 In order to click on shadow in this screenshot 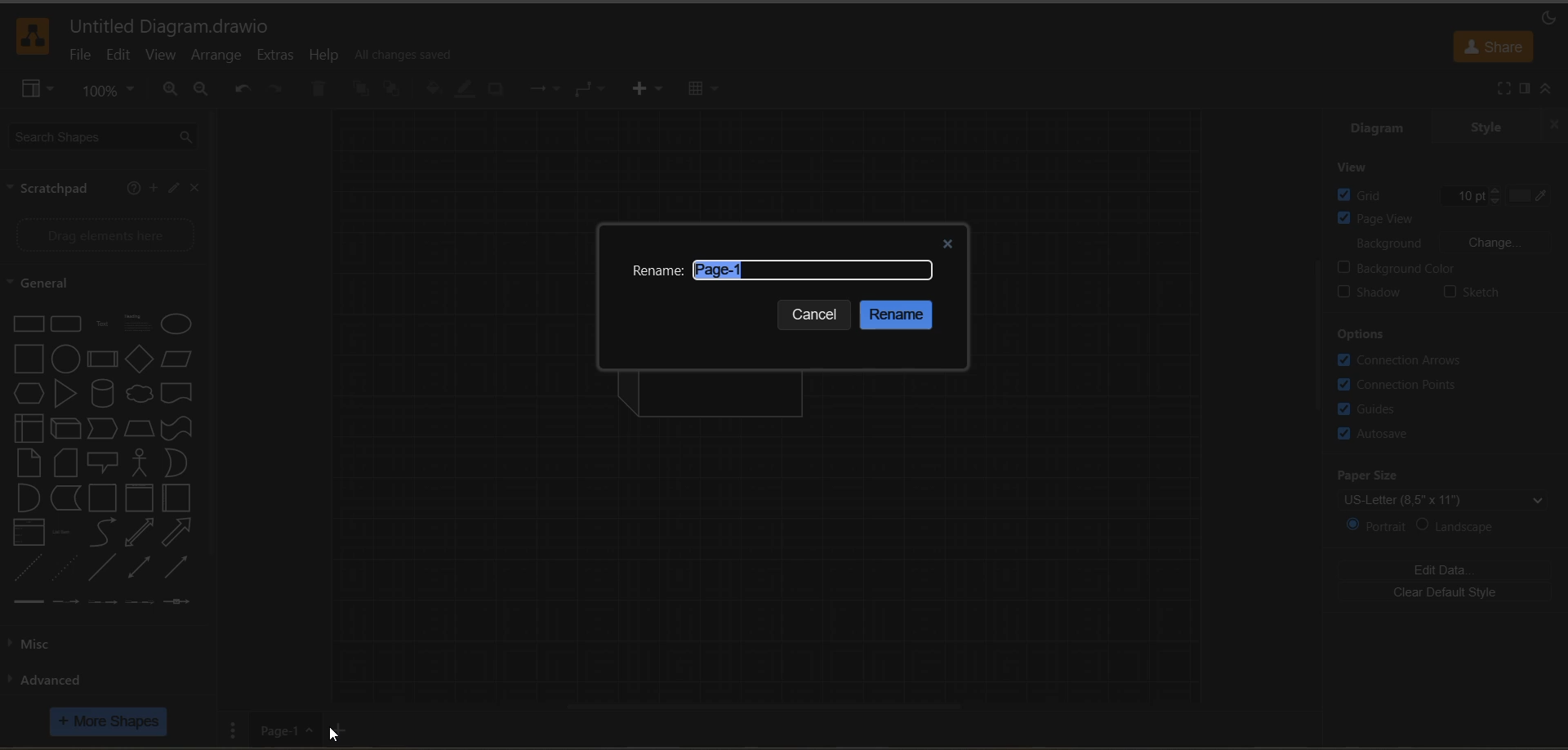, I will do `click(1375, 291)`.